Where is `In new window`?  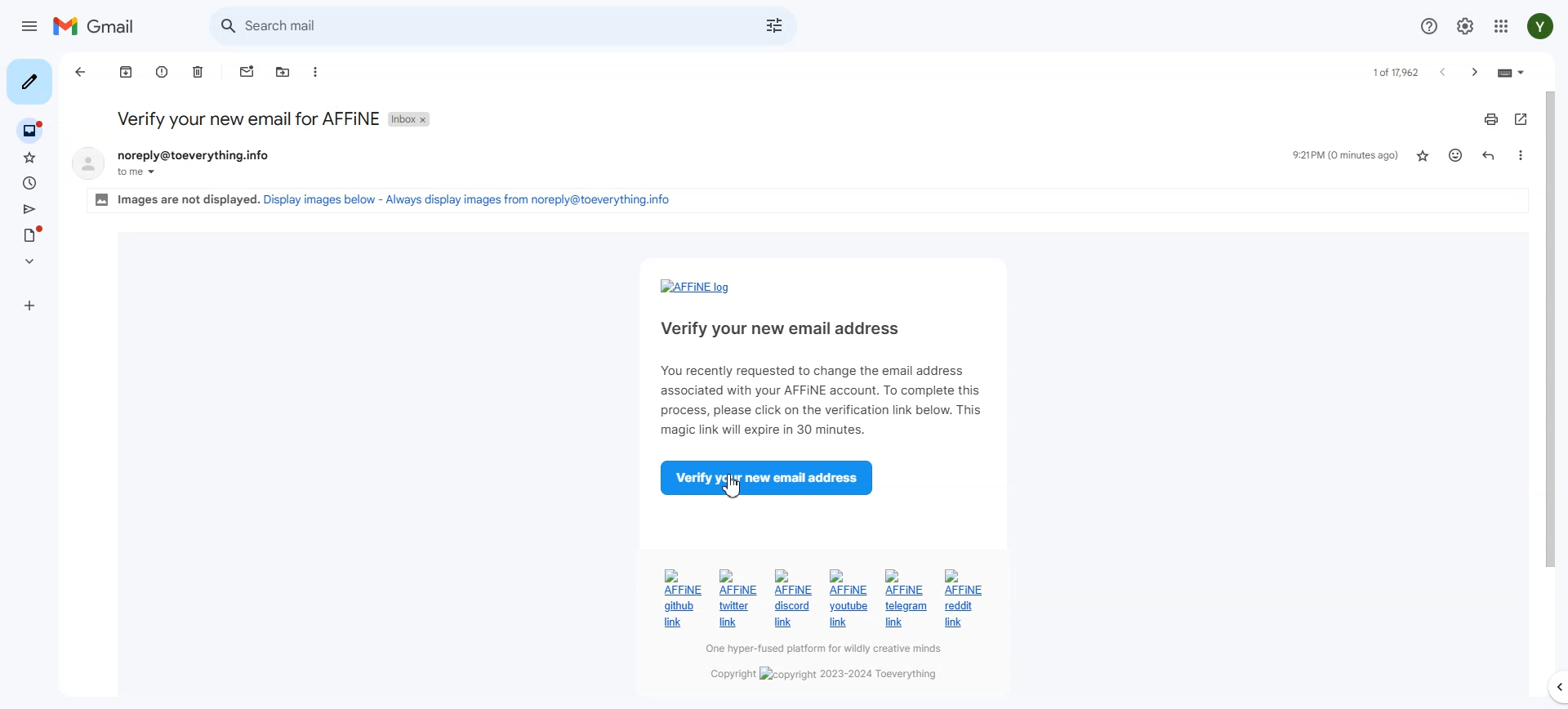
In new window is located at coordinates (1518, 119).